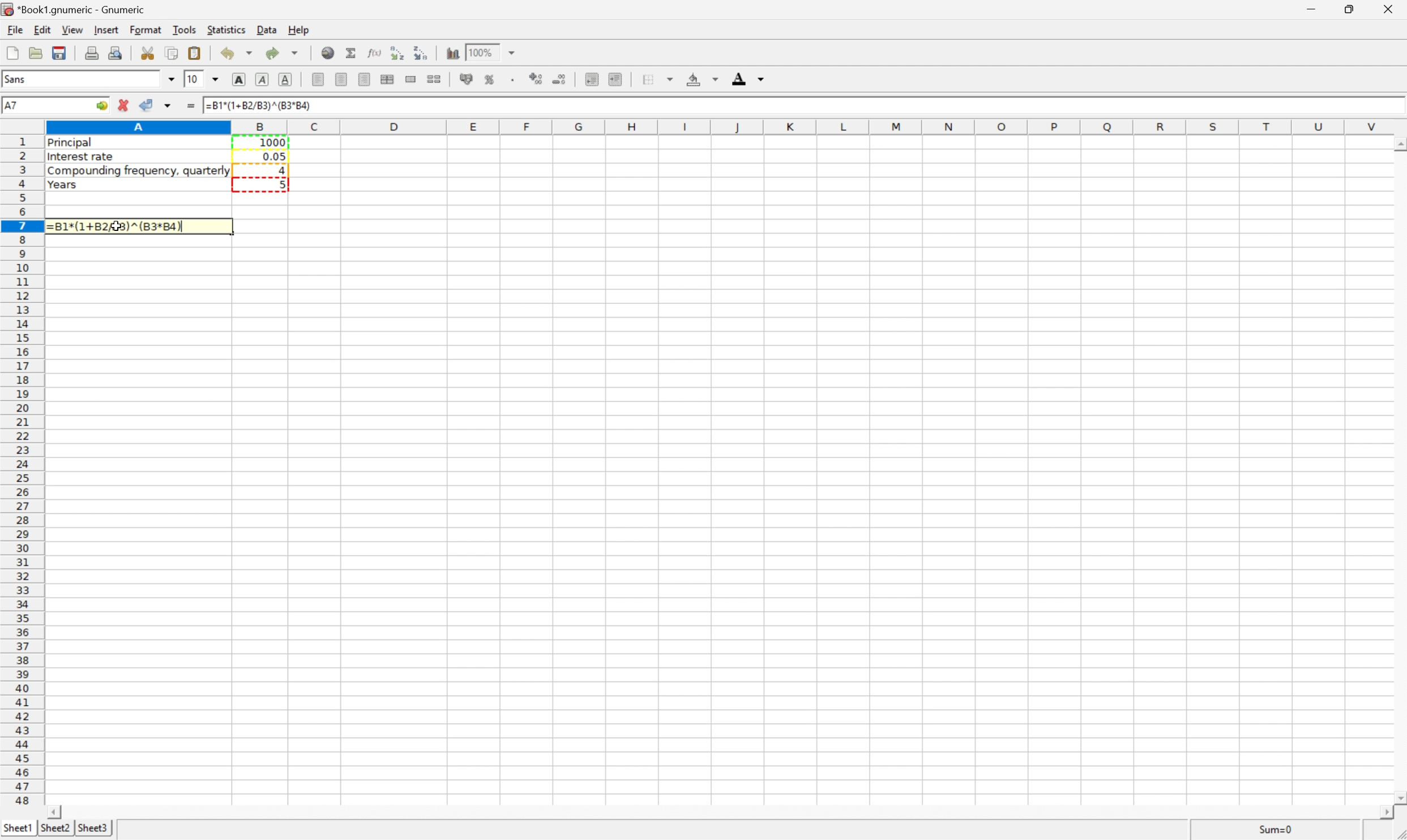  Describe the element at coordinates (146, 103) in the screenshot. I see `accept changes` at that location.